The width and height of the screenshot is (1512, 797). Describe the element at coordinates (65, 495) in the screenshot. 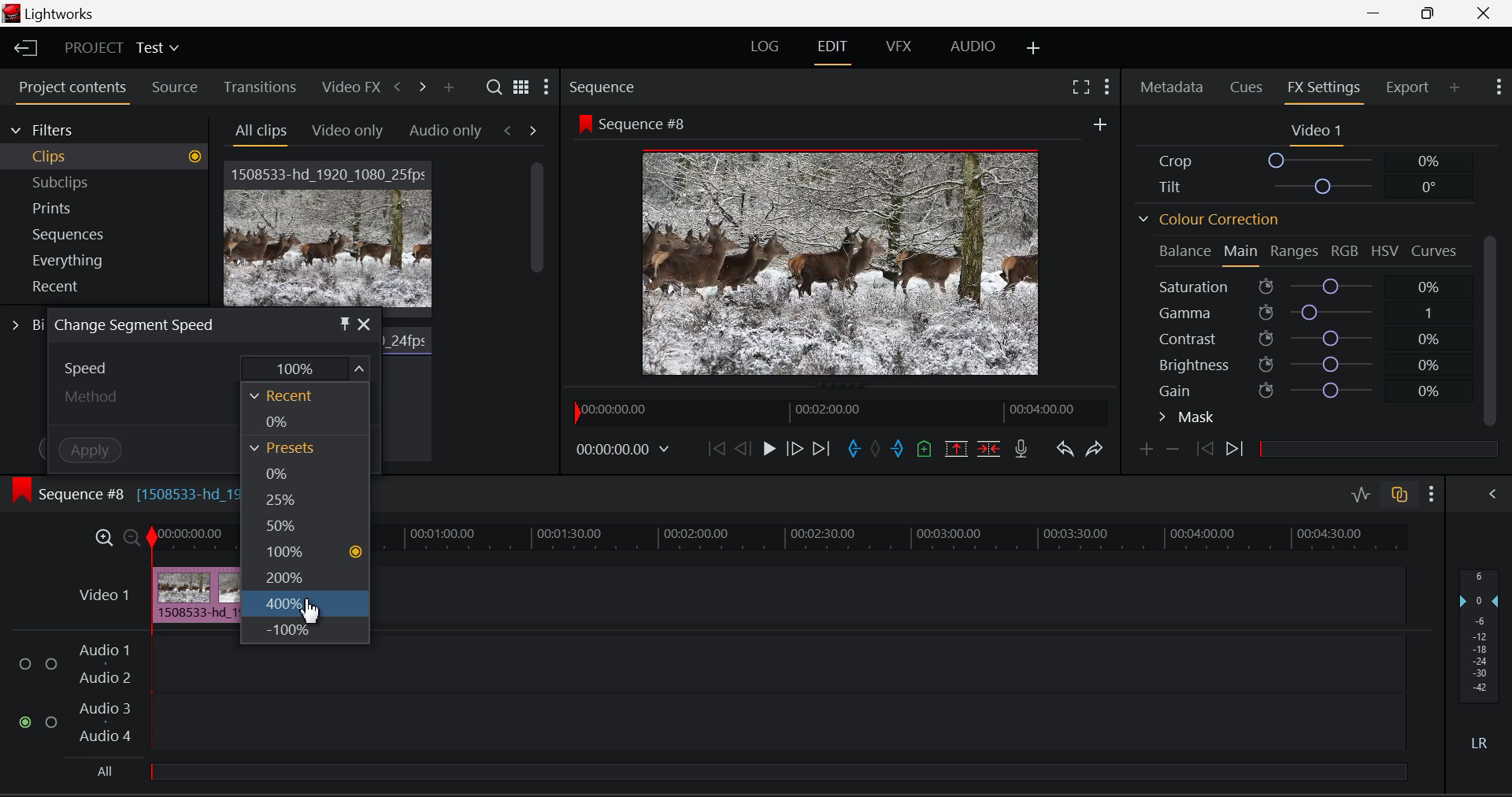

I see `Sequence #8 Timeline Display` at that location.